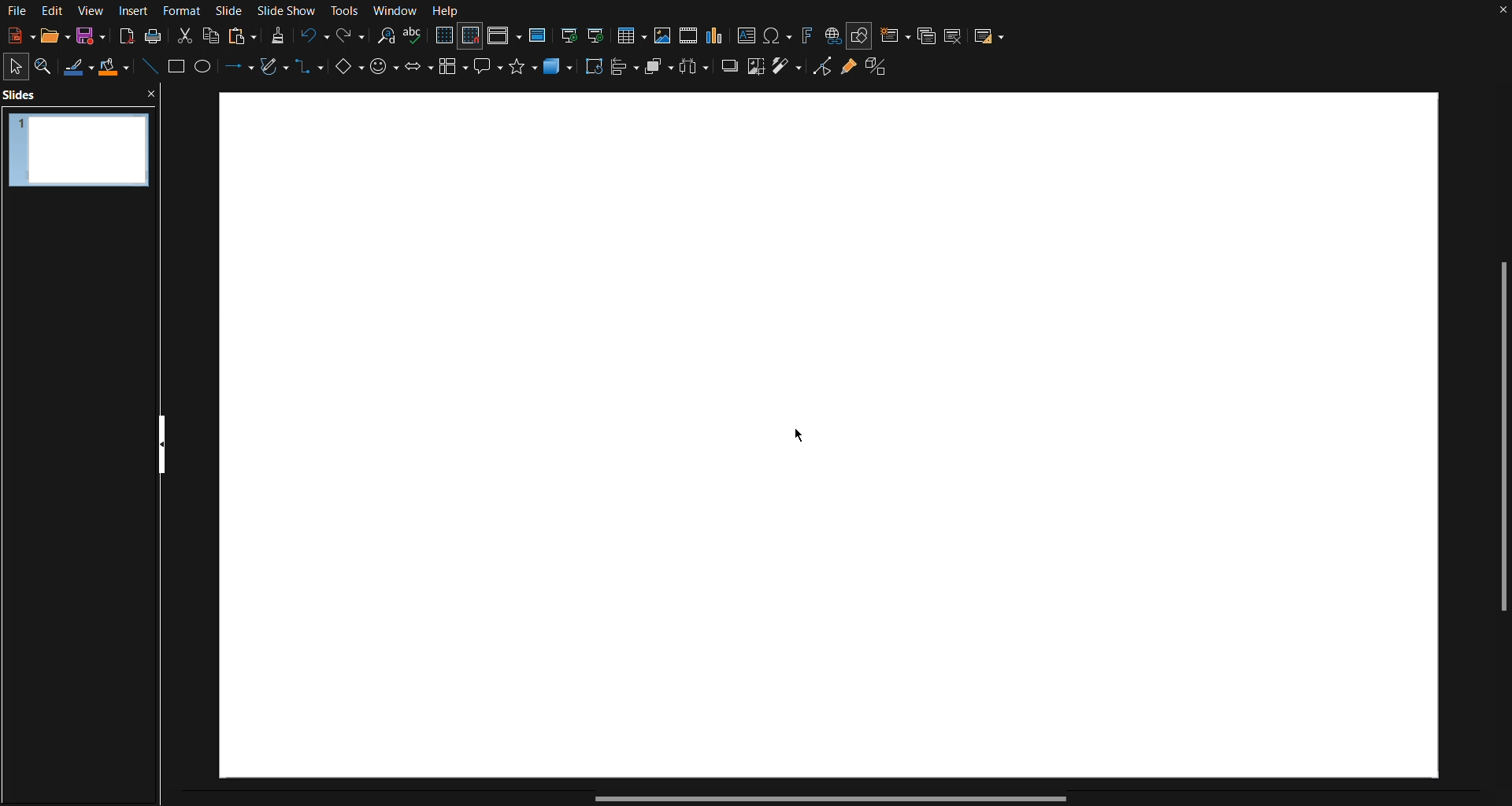  Describe the element at coordinates (820, 72) in the screenshot. I see `Toggle Point Edit` at that location.